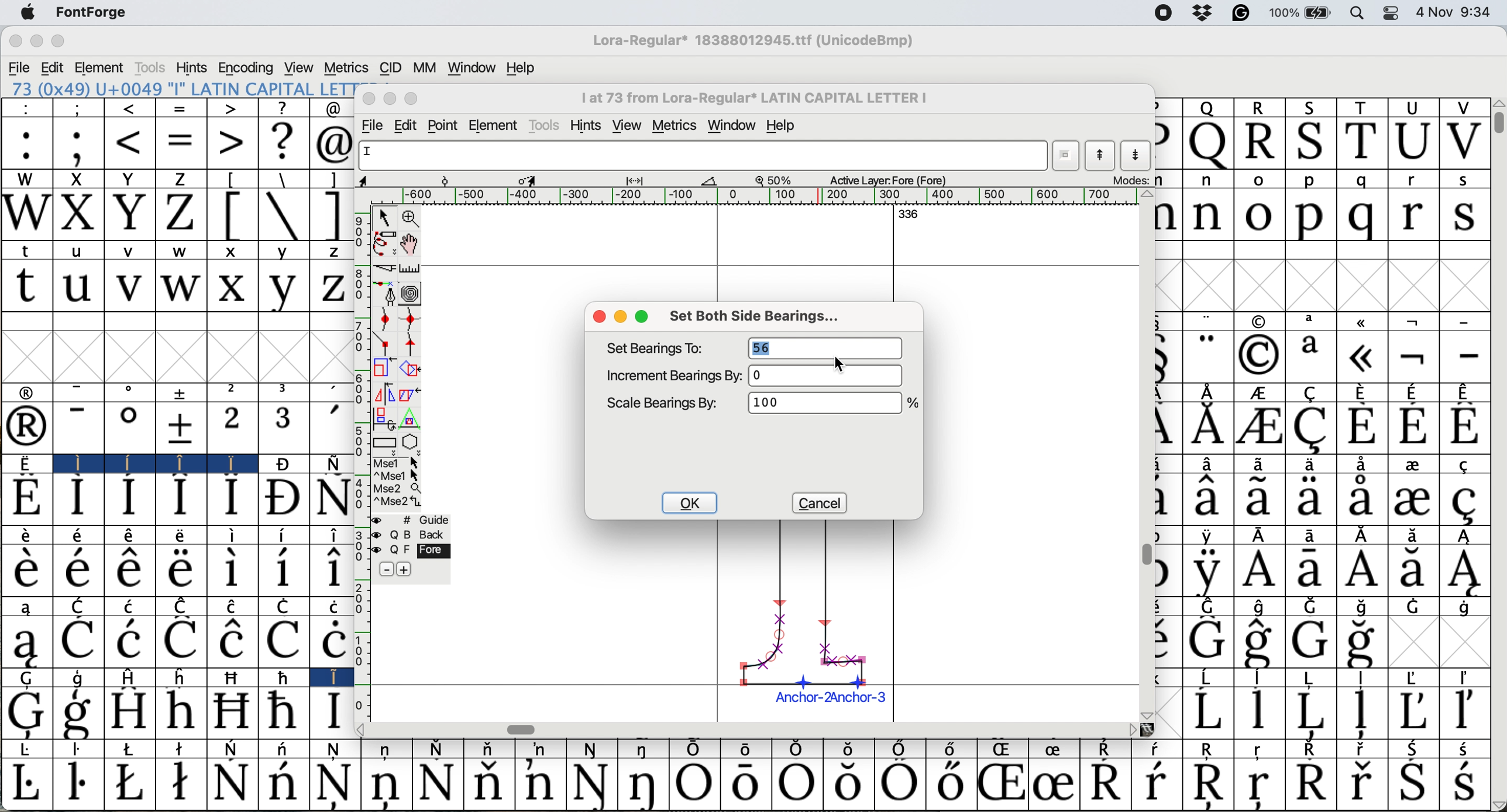 The height and width of the screenshot is (812, 1507). What do you see at coordinates (25, 287) in the screenshot?
I see `t` at bounding box center [25, 287].